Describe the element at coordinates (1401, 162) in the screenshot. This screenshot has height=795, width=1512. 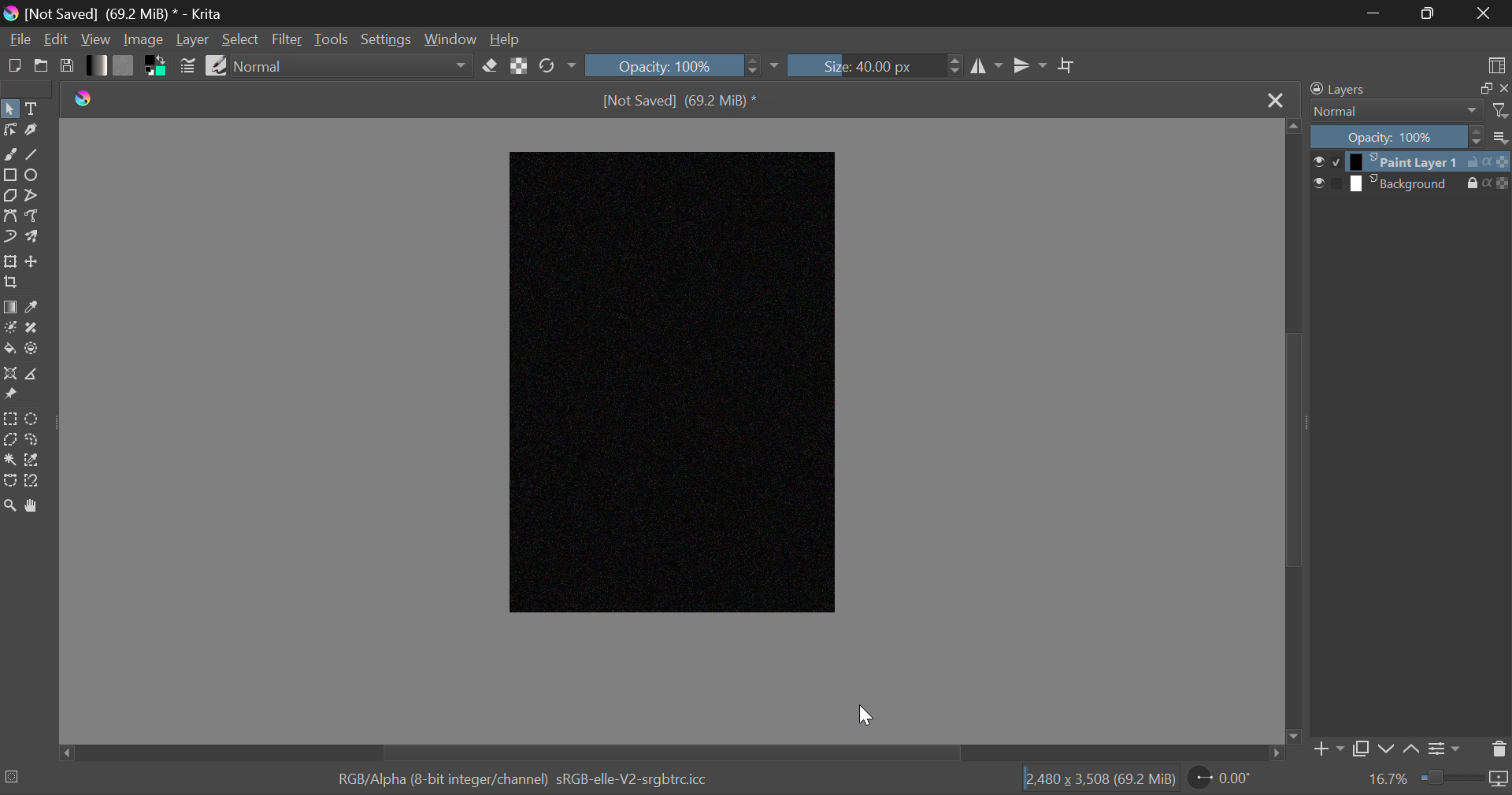
I see `Paint layer 1` at that location.